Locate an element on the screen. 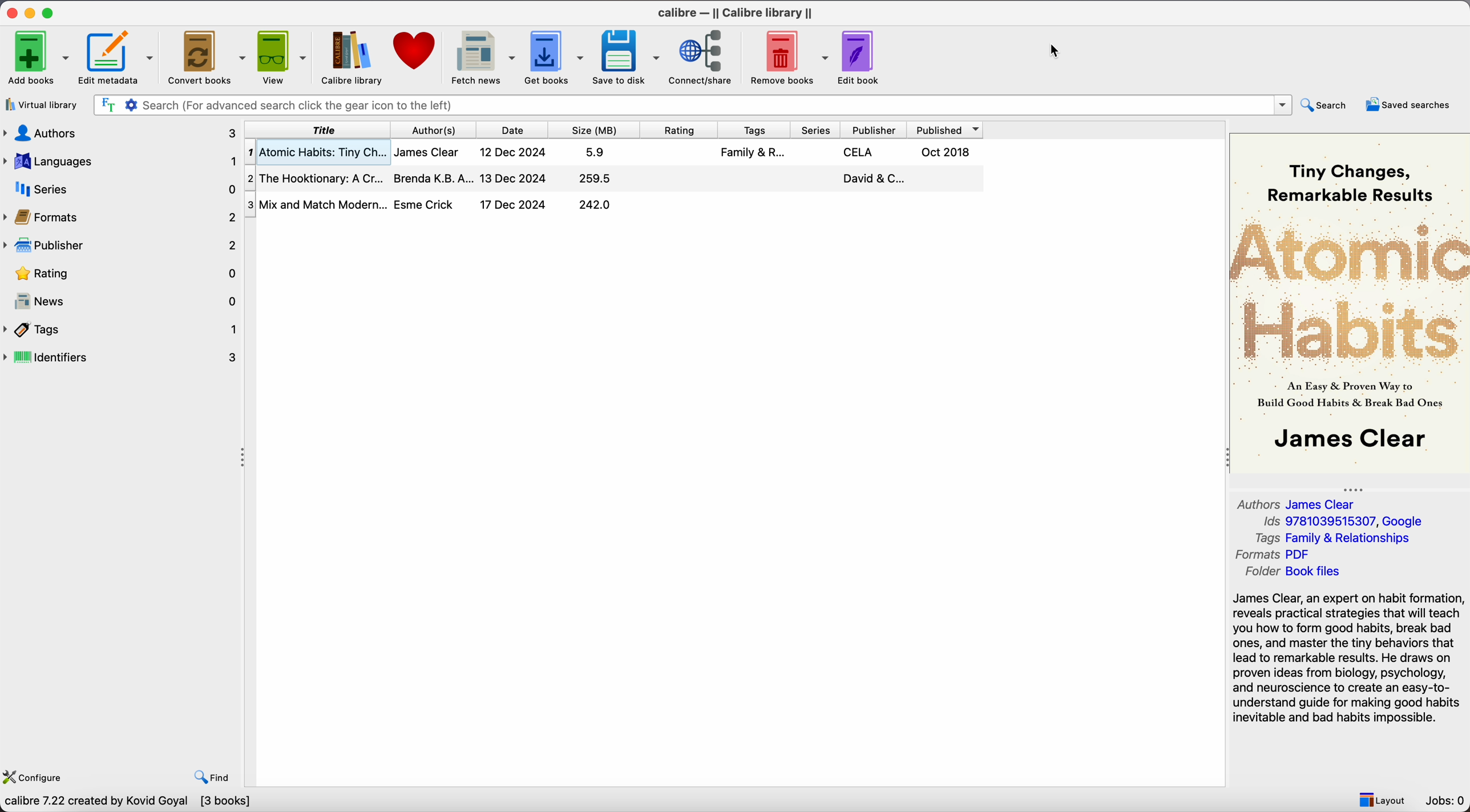  13 Dec 2024 is located at coordinates (513, 178).